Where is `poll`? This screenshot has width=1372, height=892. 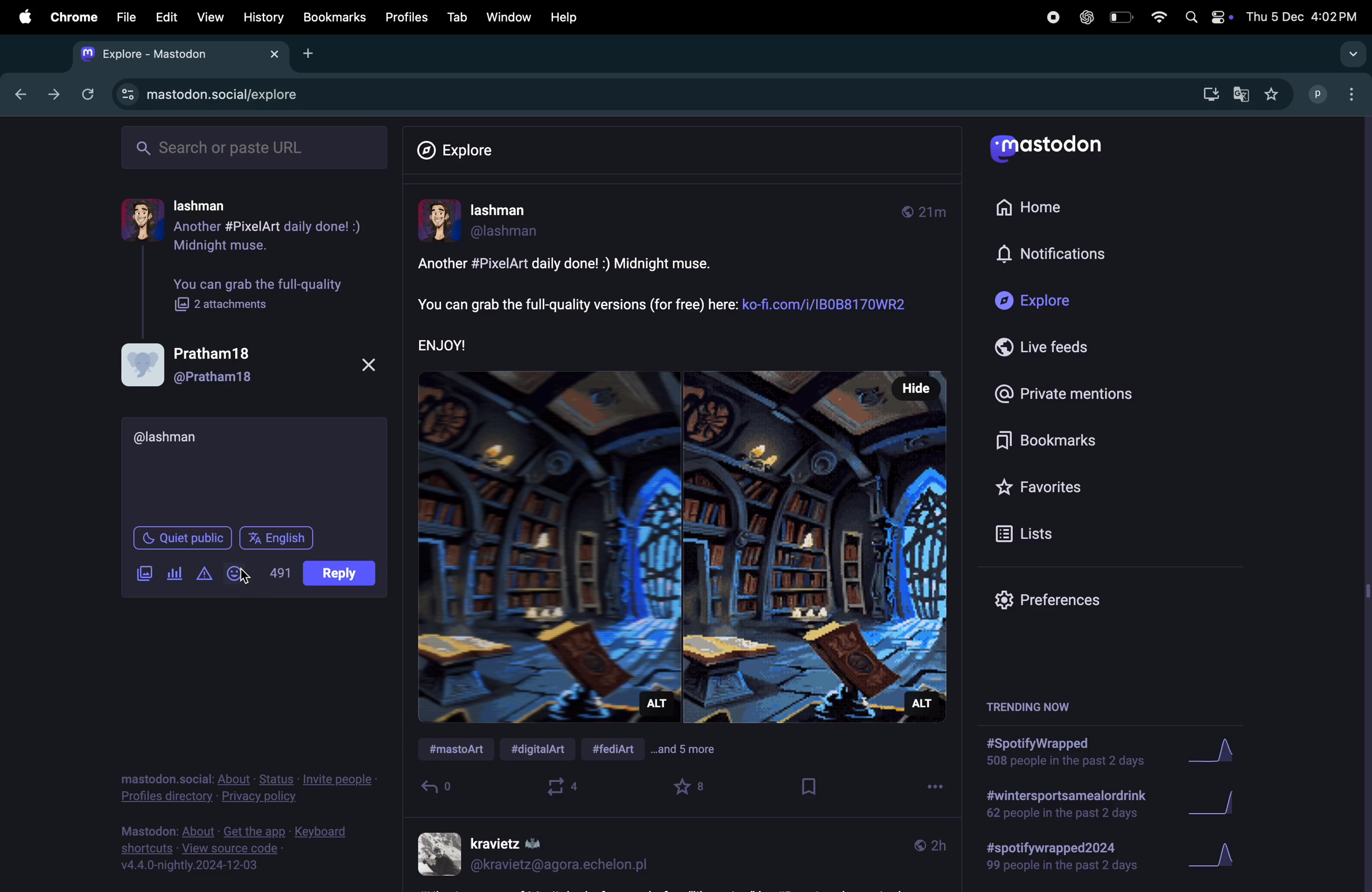
poll is located at coordinates (174, 574).